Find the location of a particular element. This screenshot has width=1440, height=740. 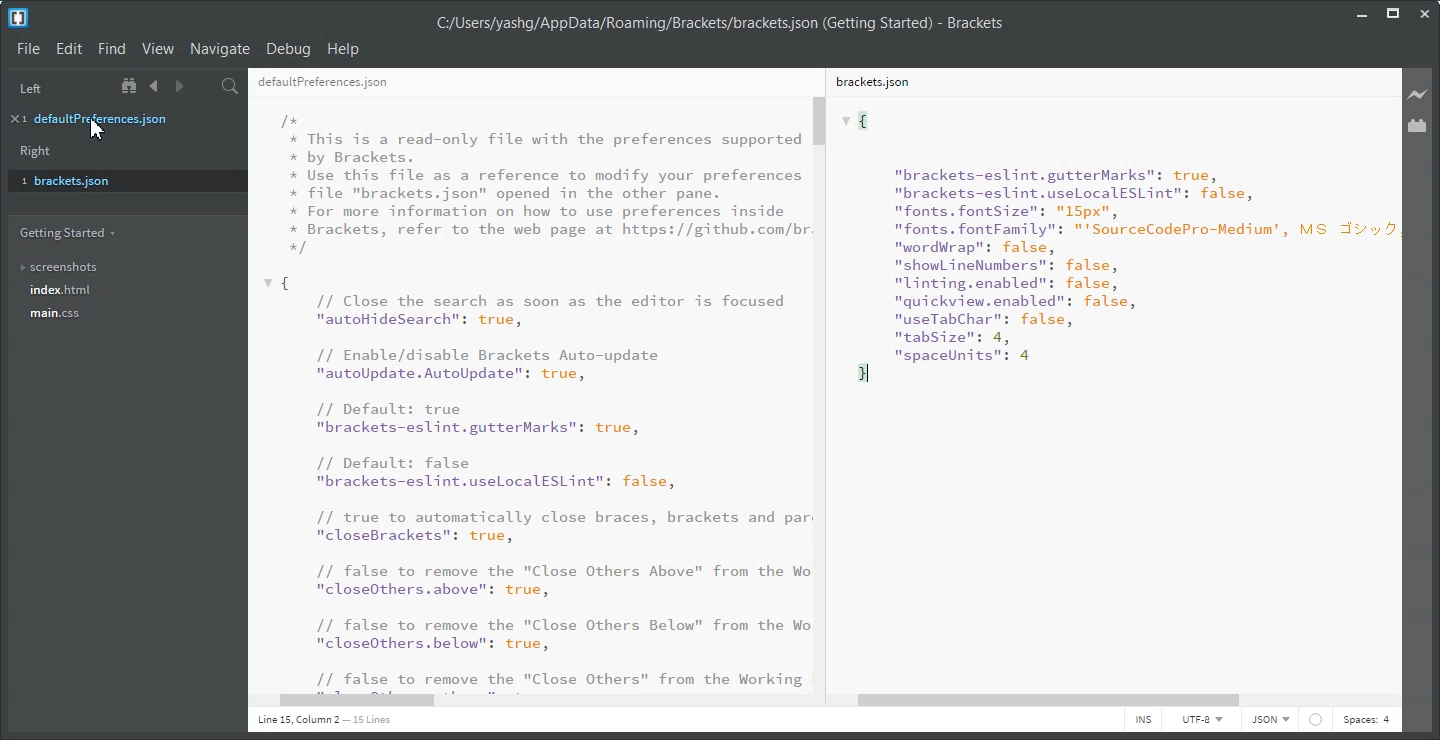

brackets.json is located at coordinates (121, 180).